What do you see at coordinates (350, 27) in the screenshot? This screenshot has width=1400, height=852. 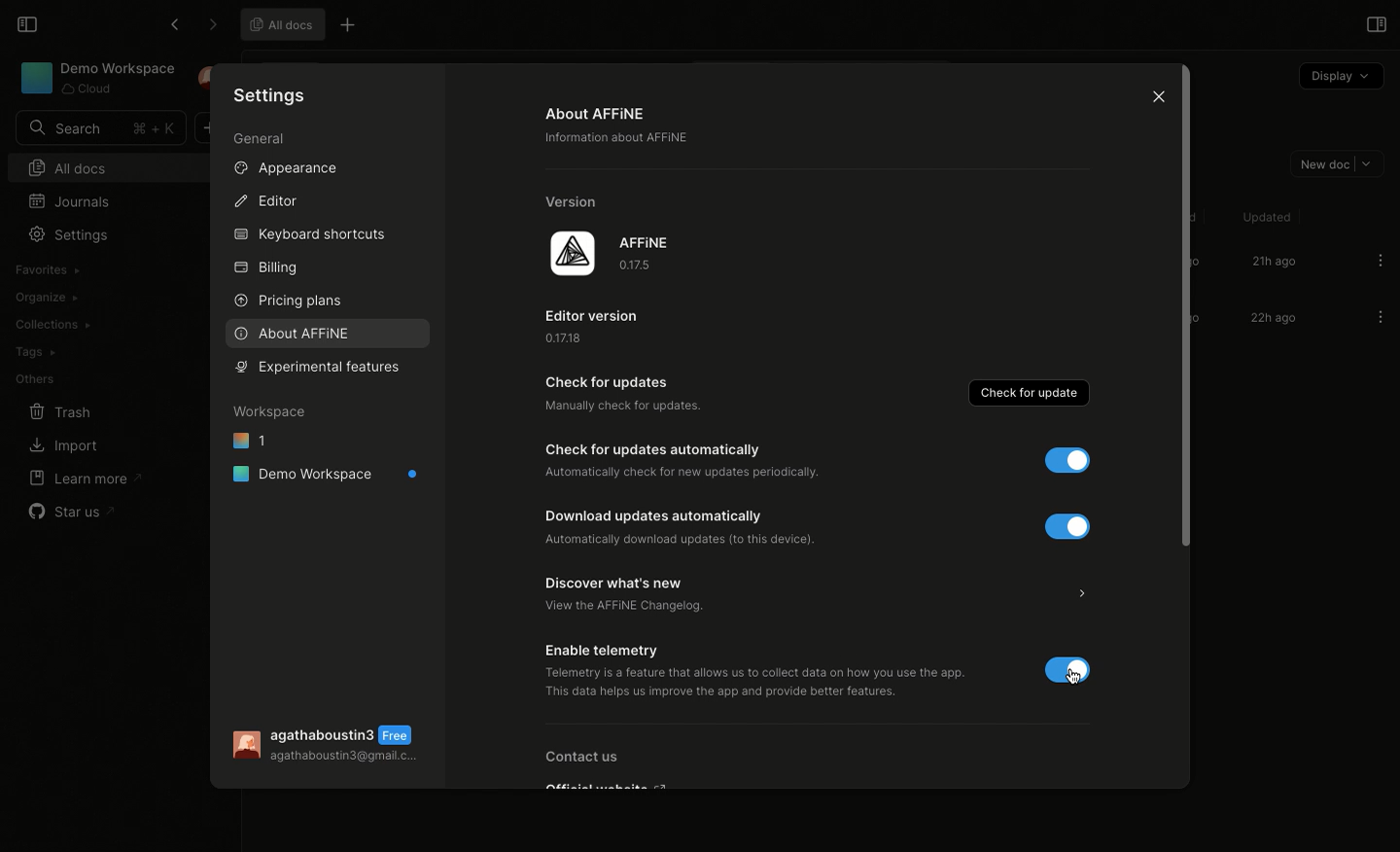 I see `Other options` at bounding box center [350, 27].